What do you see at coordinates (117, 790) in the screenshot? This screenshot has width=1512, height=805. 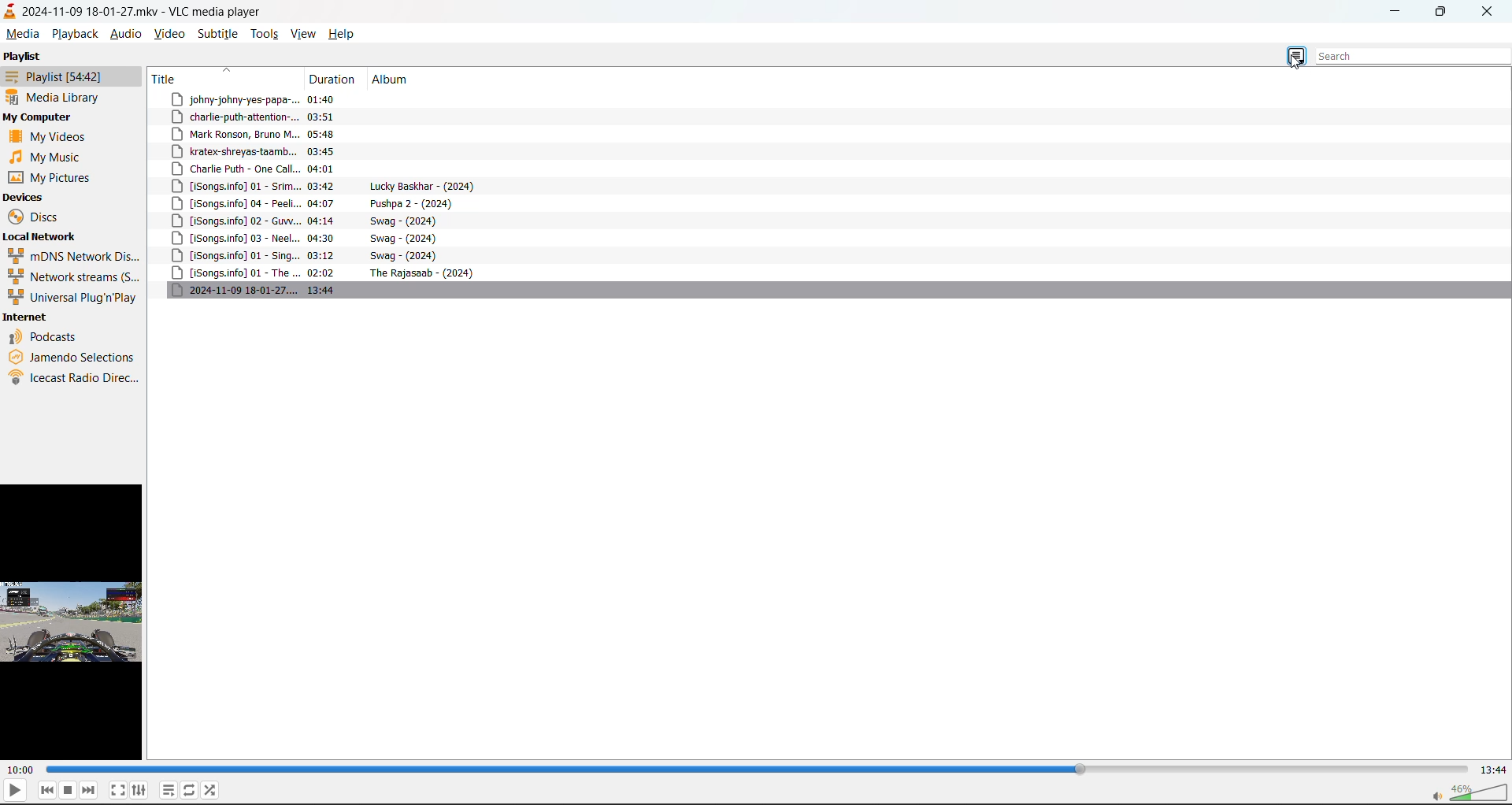 I see `fullscreen` at bounding box center [117, 790].